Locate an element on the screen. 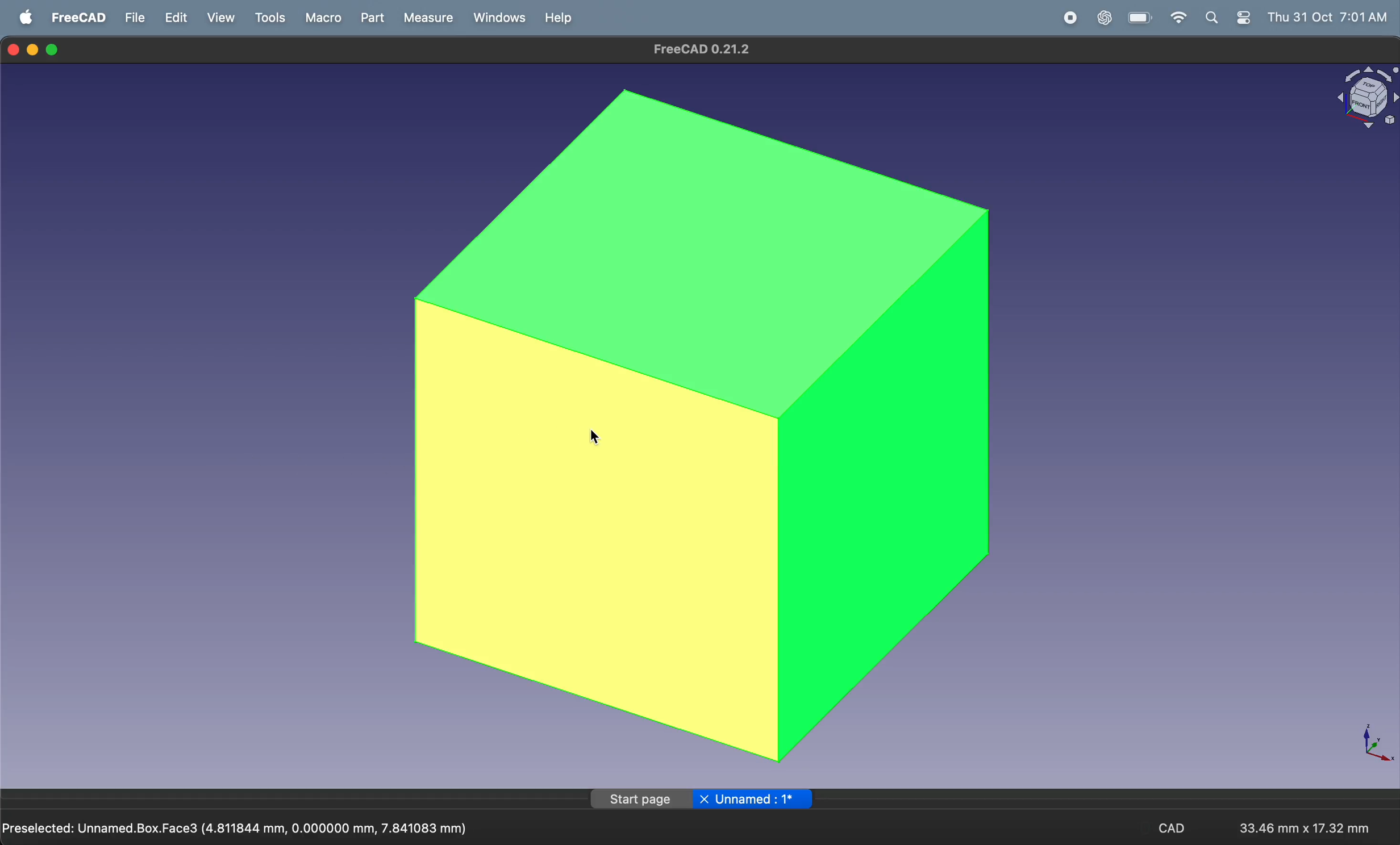 The image size is (1400, 845). file is located at coordinates (134, 17).